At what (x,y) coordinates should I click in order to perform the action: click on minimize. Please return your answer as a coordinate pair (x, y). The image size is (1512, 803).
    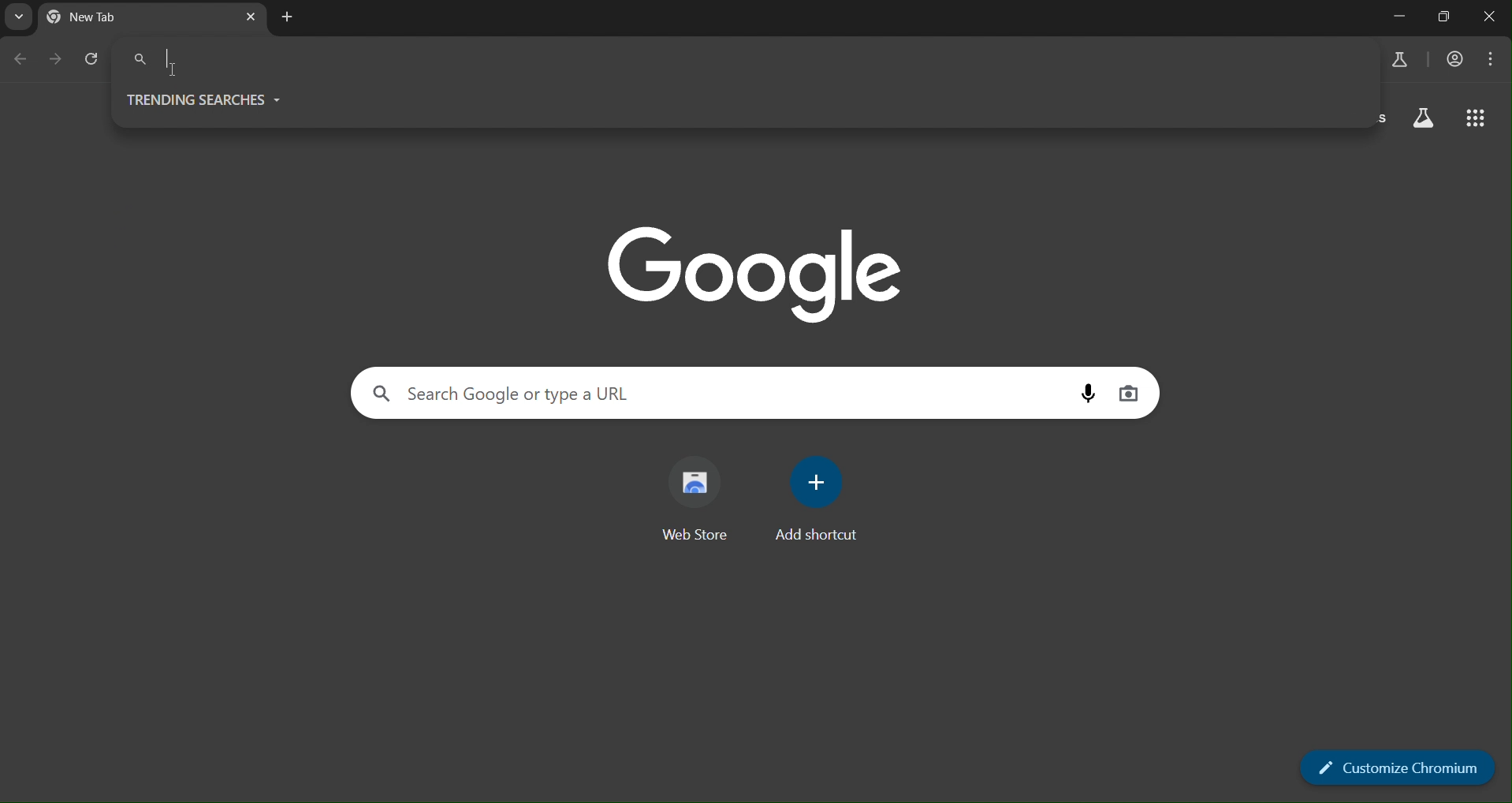
    Looking at the image, I should click on (1401, 17).